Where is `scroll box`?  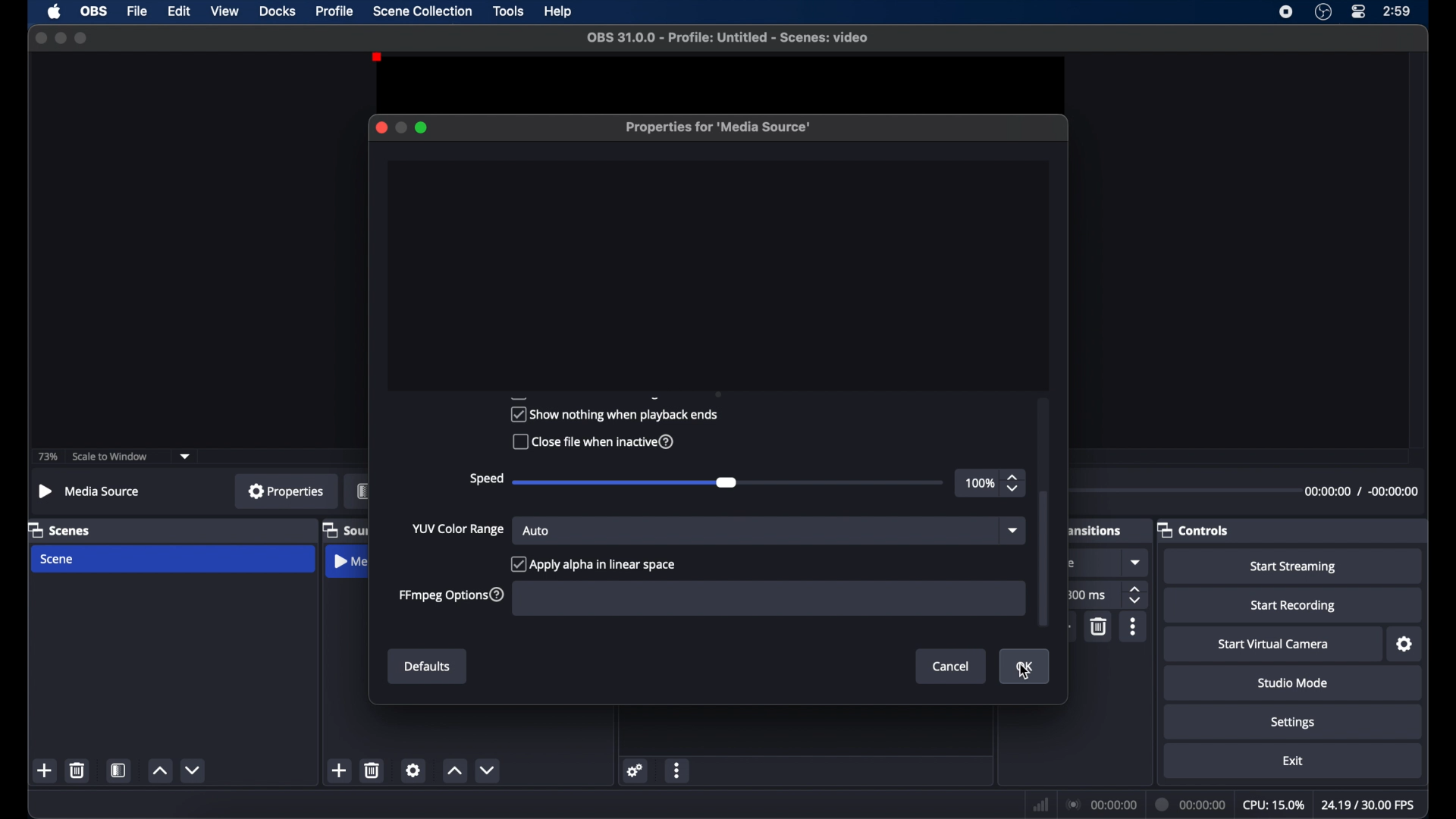
scroll box is located at coordinates (1045, 559).